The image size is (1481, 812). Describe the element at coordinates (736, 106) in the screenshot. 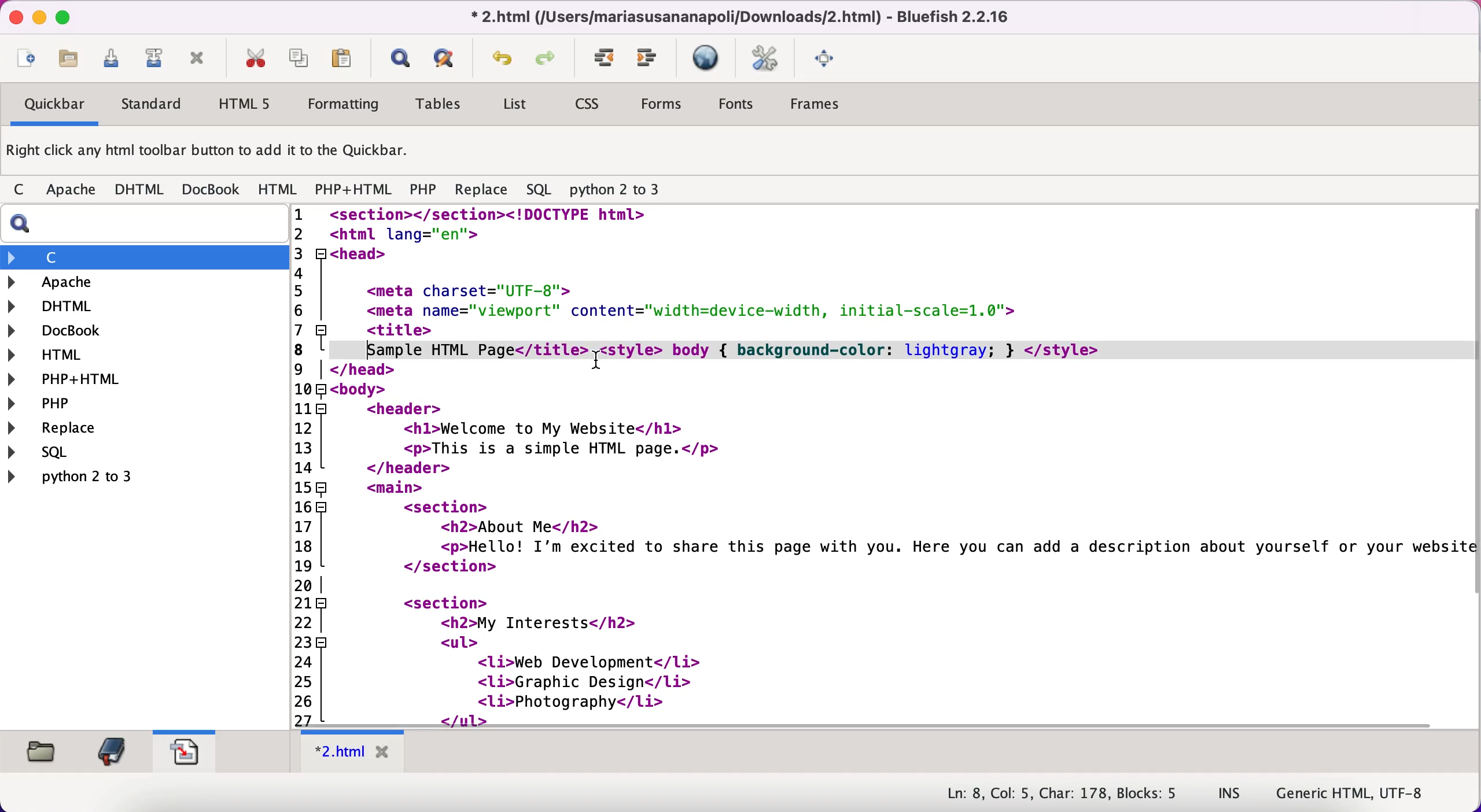

I see `fonts` at that location.